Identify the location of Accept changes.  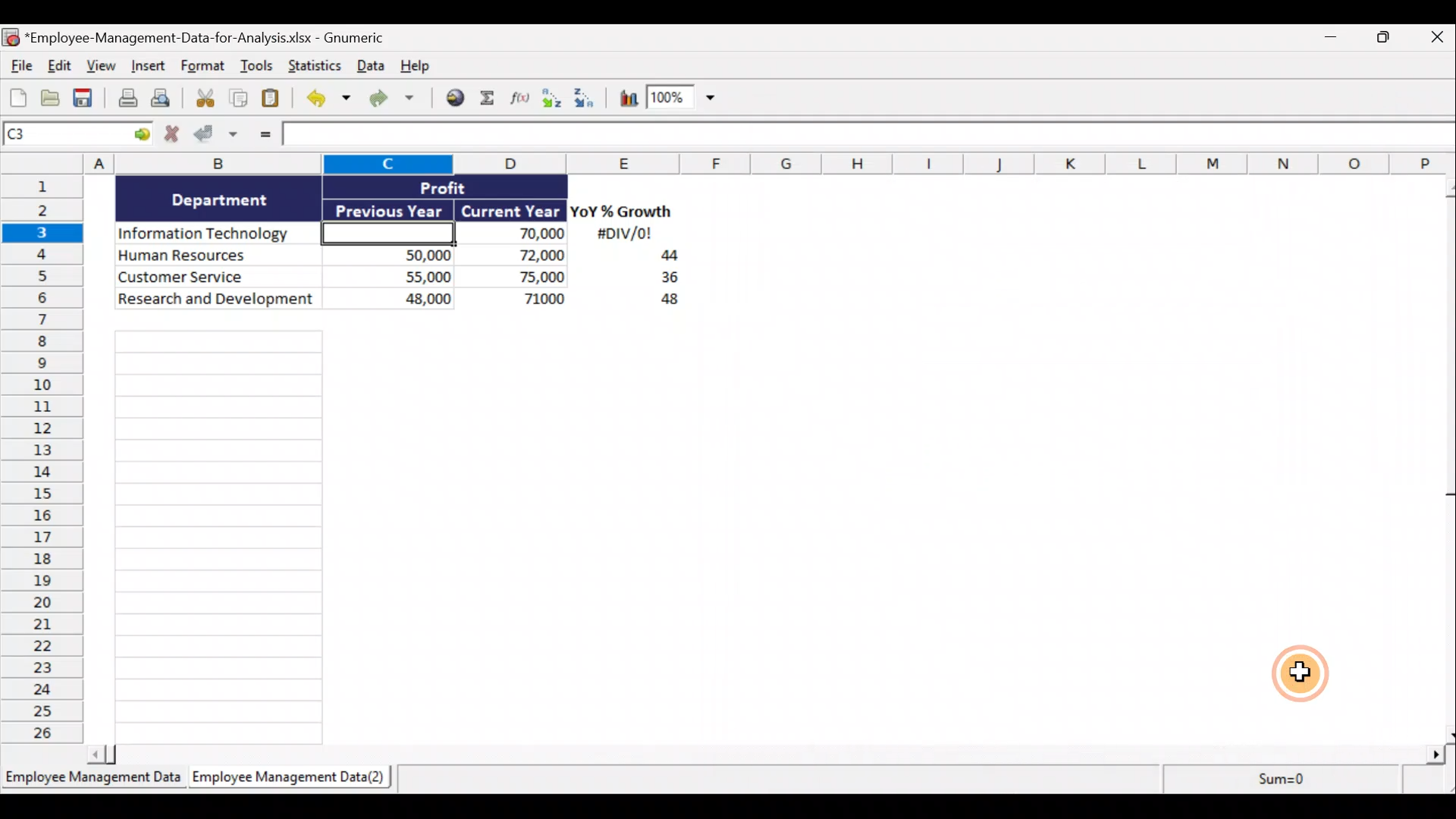
(218, 136).